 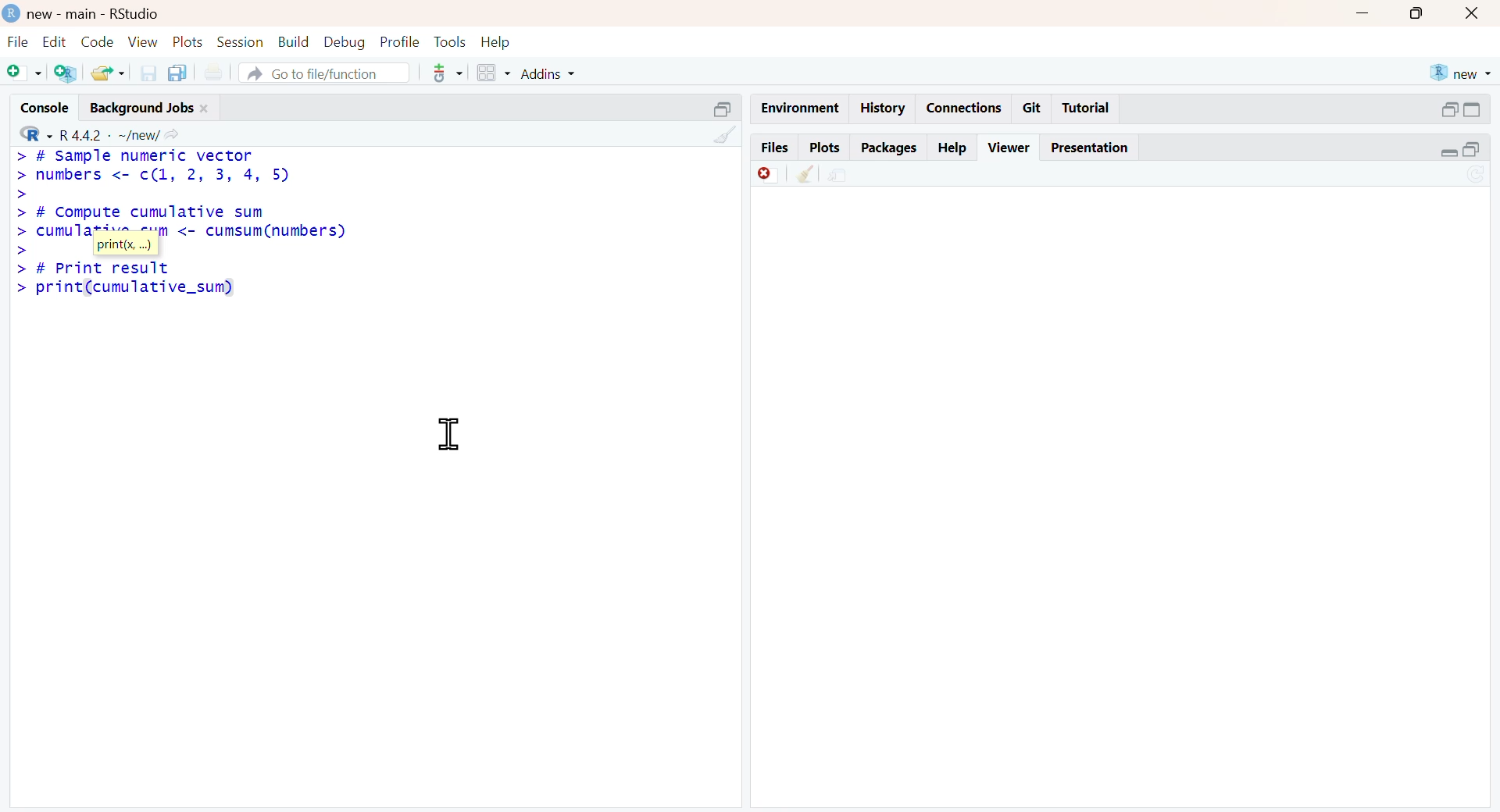 I want to click on new - main - RStudio, so click(x=95, y=15).